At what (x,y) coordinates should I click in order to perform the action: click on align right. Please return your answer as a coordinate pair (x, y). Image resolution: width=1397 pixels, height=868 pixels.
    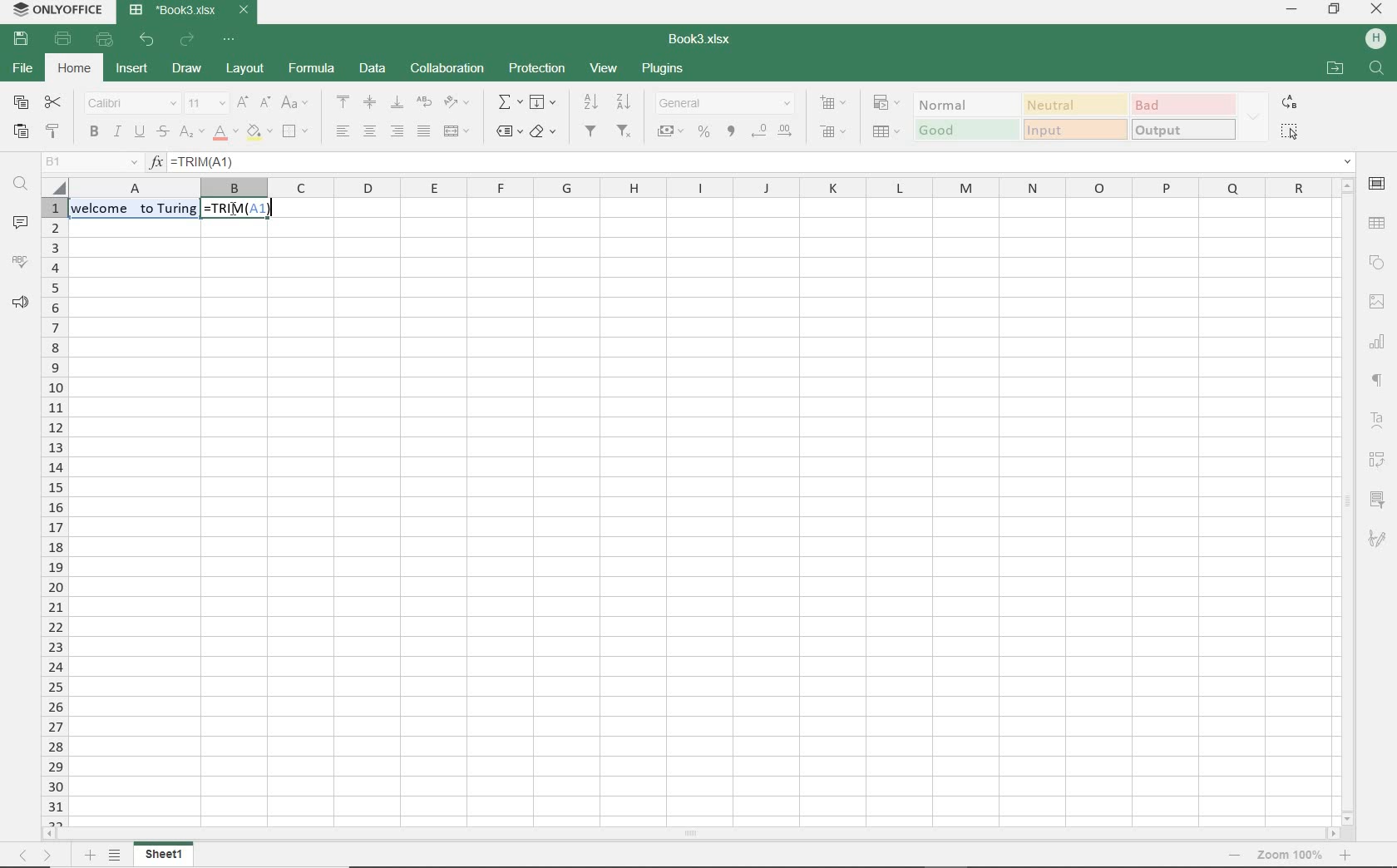
    Looking at the image, I should click on (399, 132).